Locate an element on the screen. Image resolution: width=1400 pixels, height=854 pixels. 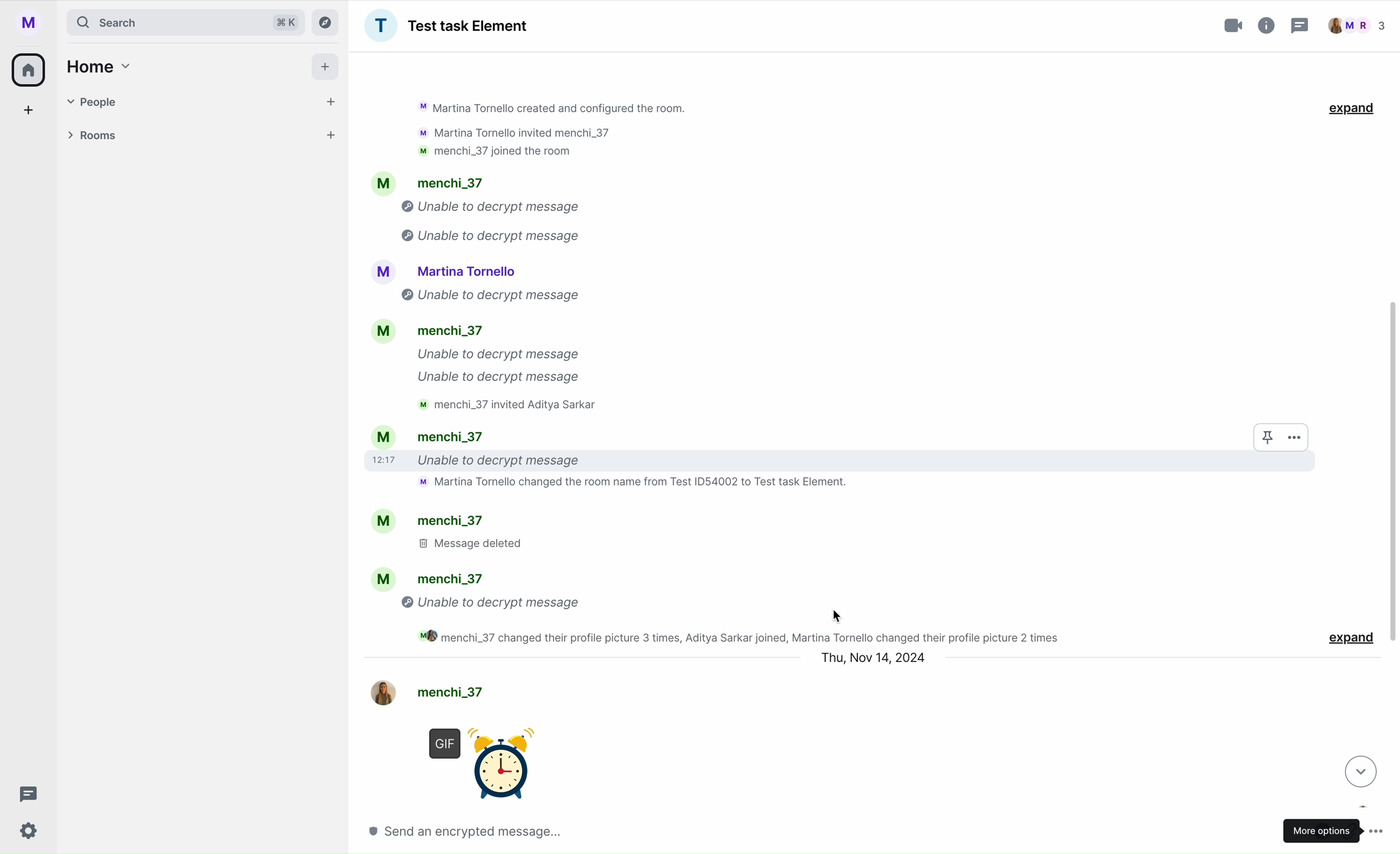
home is located at coordinates (30, 69).